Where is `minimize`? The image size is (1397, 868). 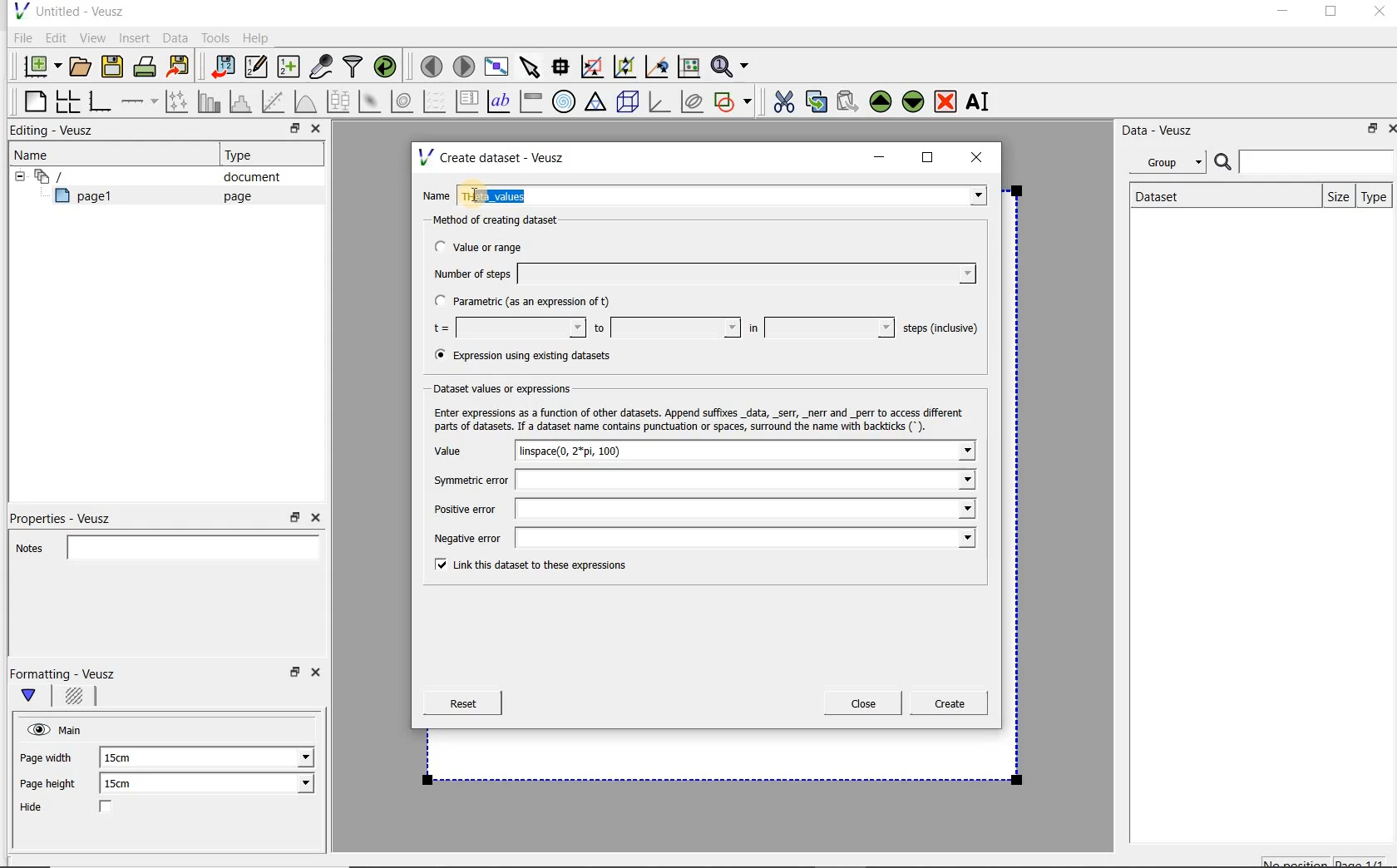
minimize is located at coordinates (1281, 13).